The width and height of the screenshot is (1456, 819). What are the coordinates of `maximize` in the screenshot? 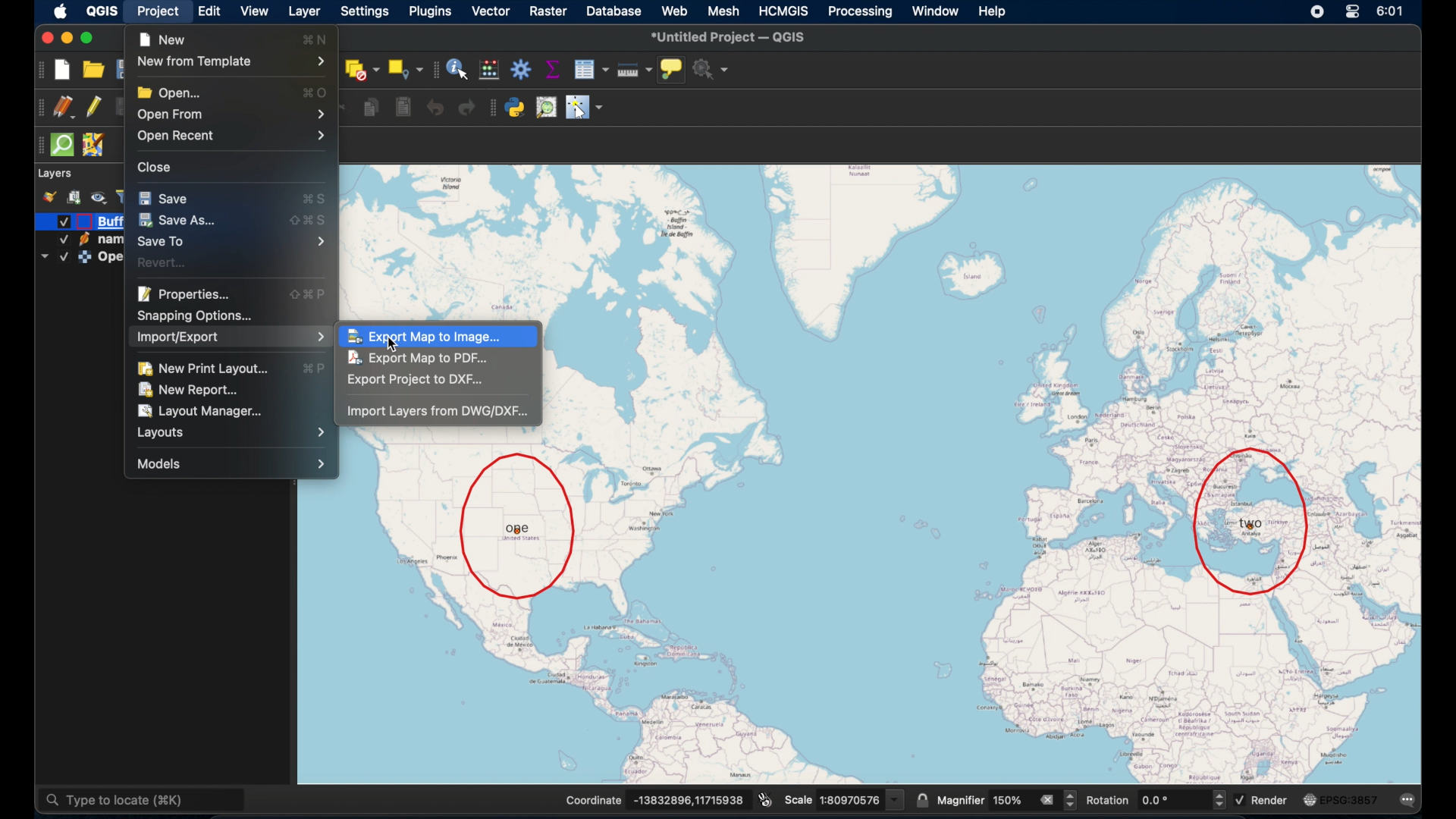 It's located at (89, 38).